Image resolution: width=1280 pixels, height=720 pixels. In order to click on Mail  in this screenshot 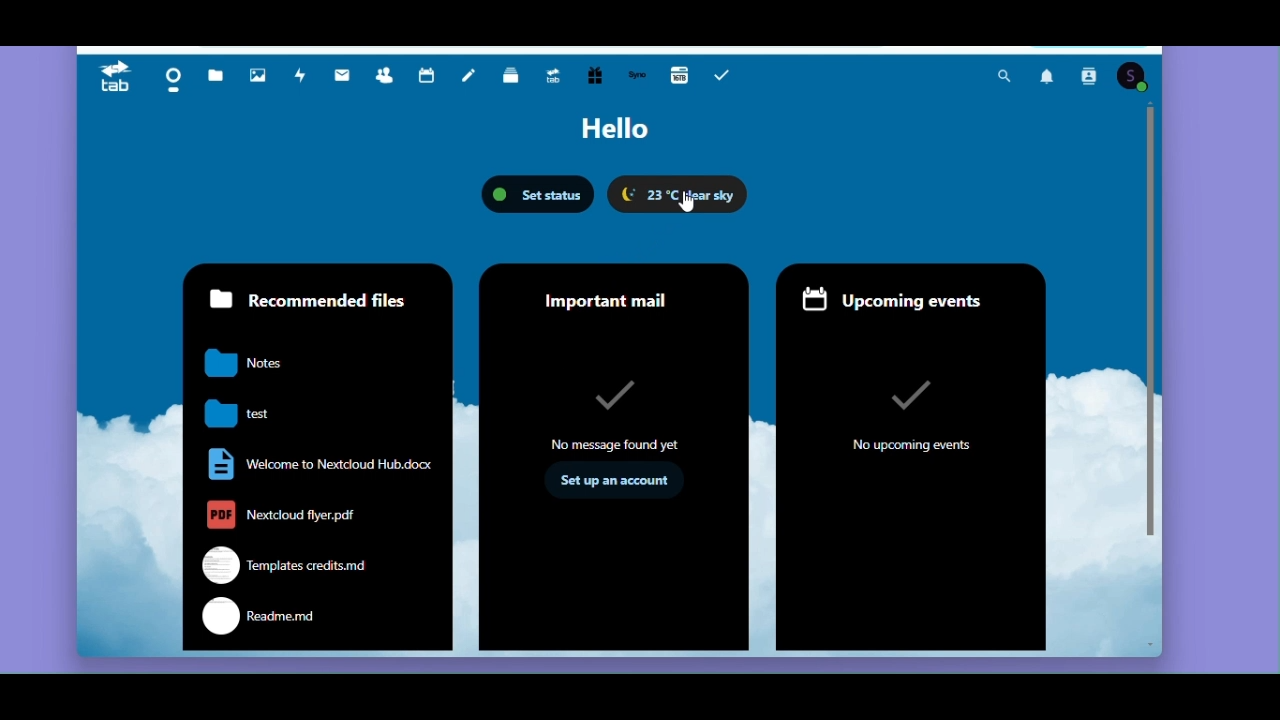, I will do `click(343, 80)`.